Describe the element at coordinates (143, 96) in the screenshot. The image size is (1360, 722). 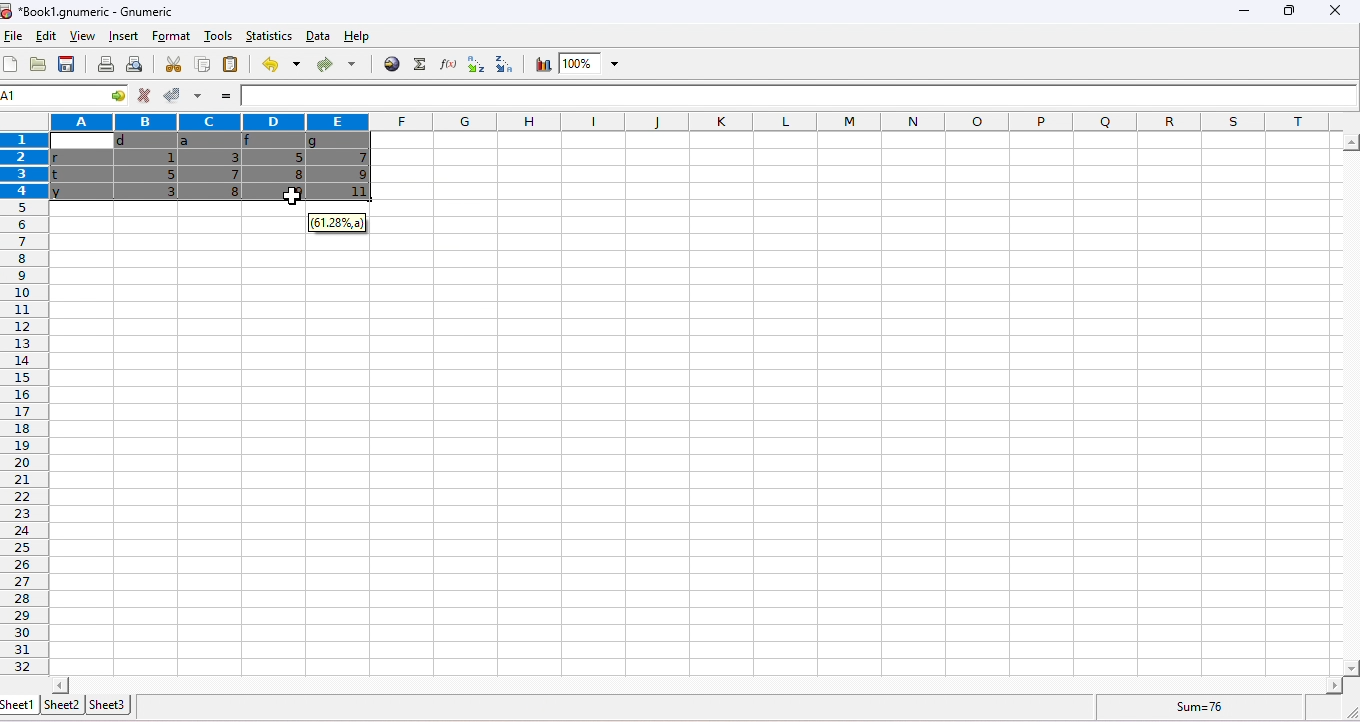
I see `reject` at that location.